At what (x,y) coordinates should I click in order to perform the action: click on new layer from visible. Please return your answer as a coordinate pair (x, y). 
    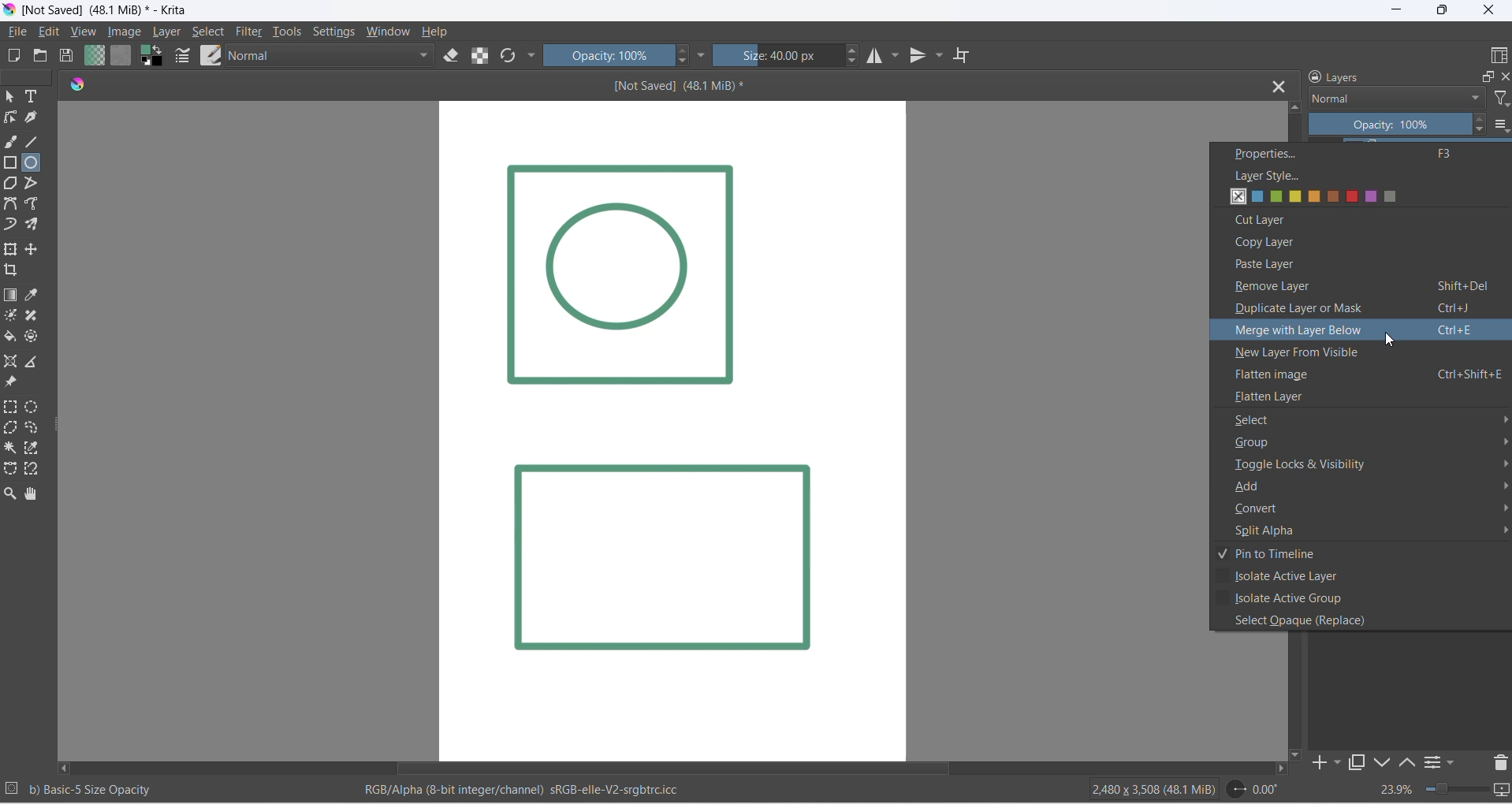
    Looking at the image, I should click on (1349, 350).